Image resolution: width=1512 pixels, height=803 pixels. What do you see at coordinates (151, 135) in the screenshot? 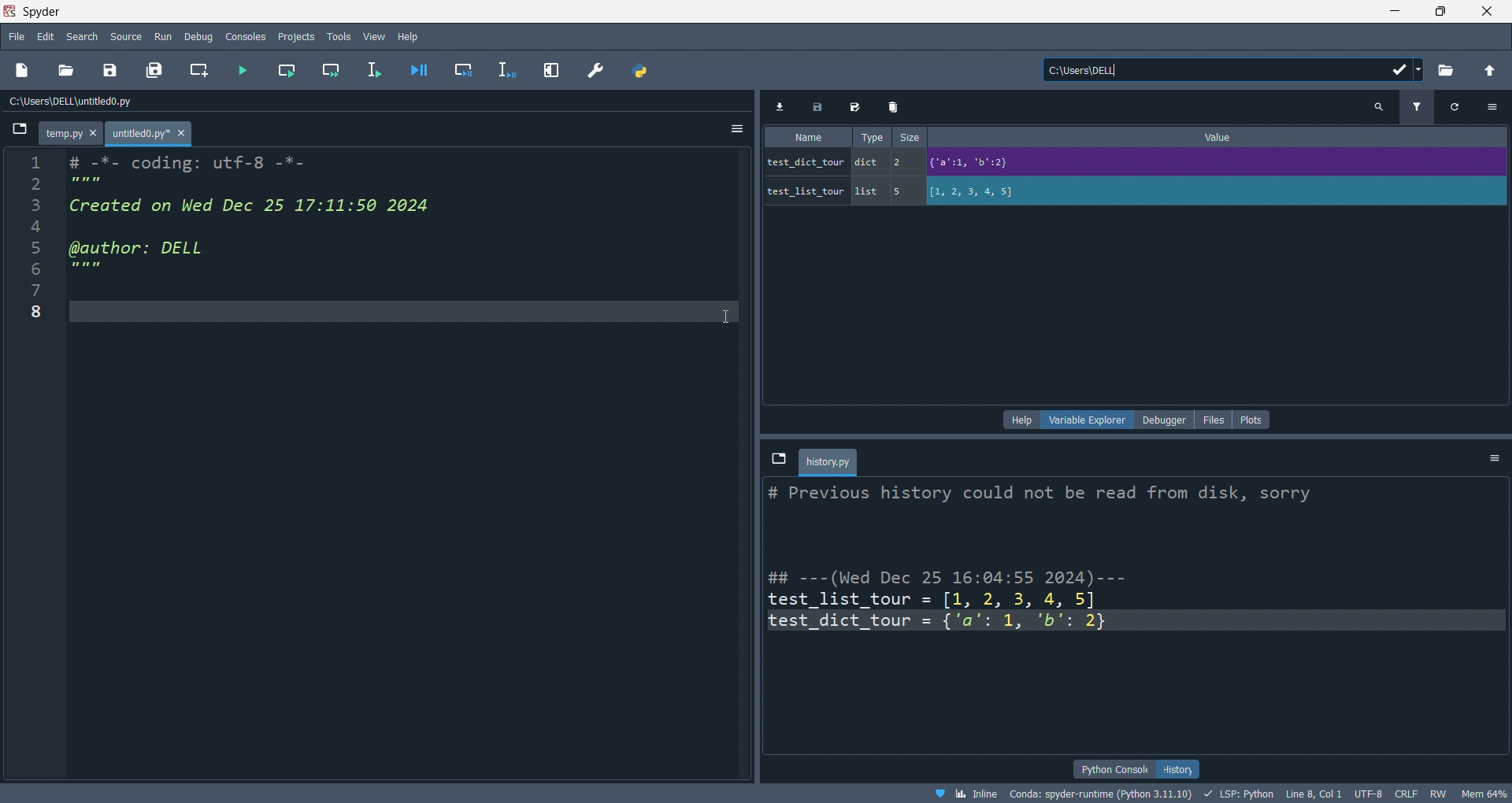
I see `untitled` at bounding box center [151, 135].